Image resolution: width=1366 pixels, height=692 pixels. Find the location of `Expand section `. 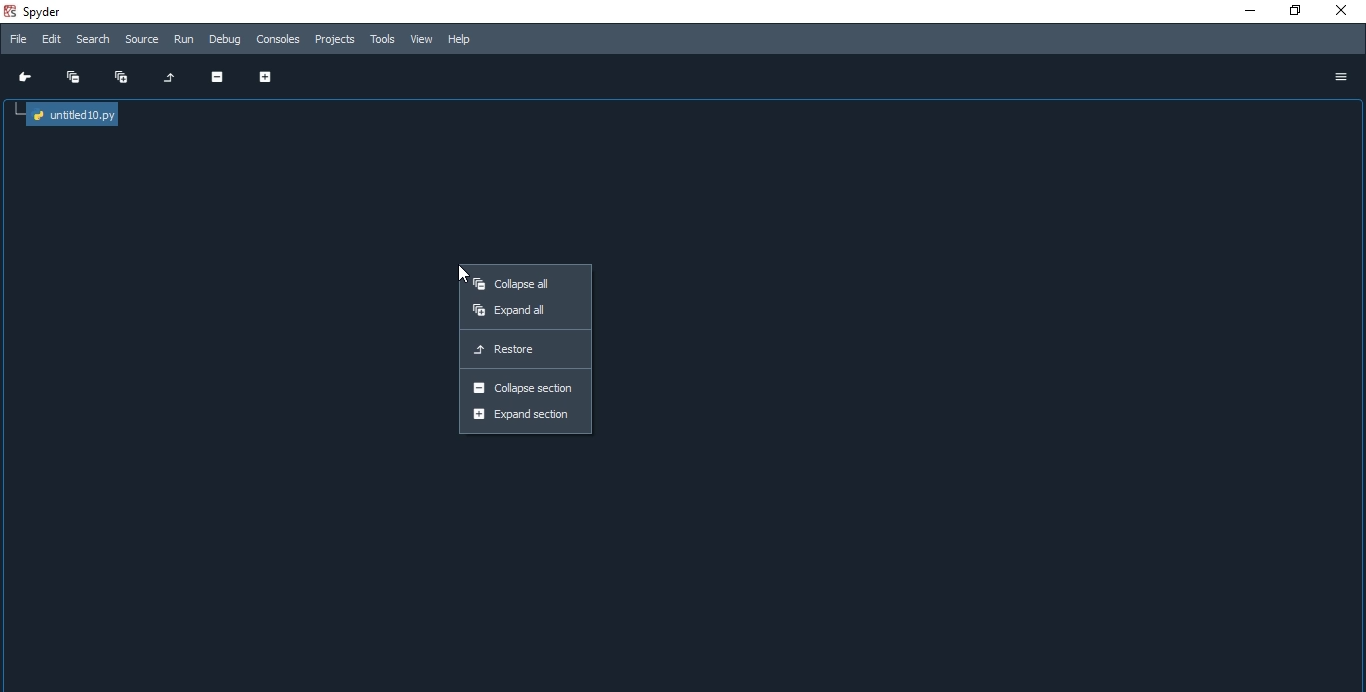

Expand section  is located at coordinates (529, 416).